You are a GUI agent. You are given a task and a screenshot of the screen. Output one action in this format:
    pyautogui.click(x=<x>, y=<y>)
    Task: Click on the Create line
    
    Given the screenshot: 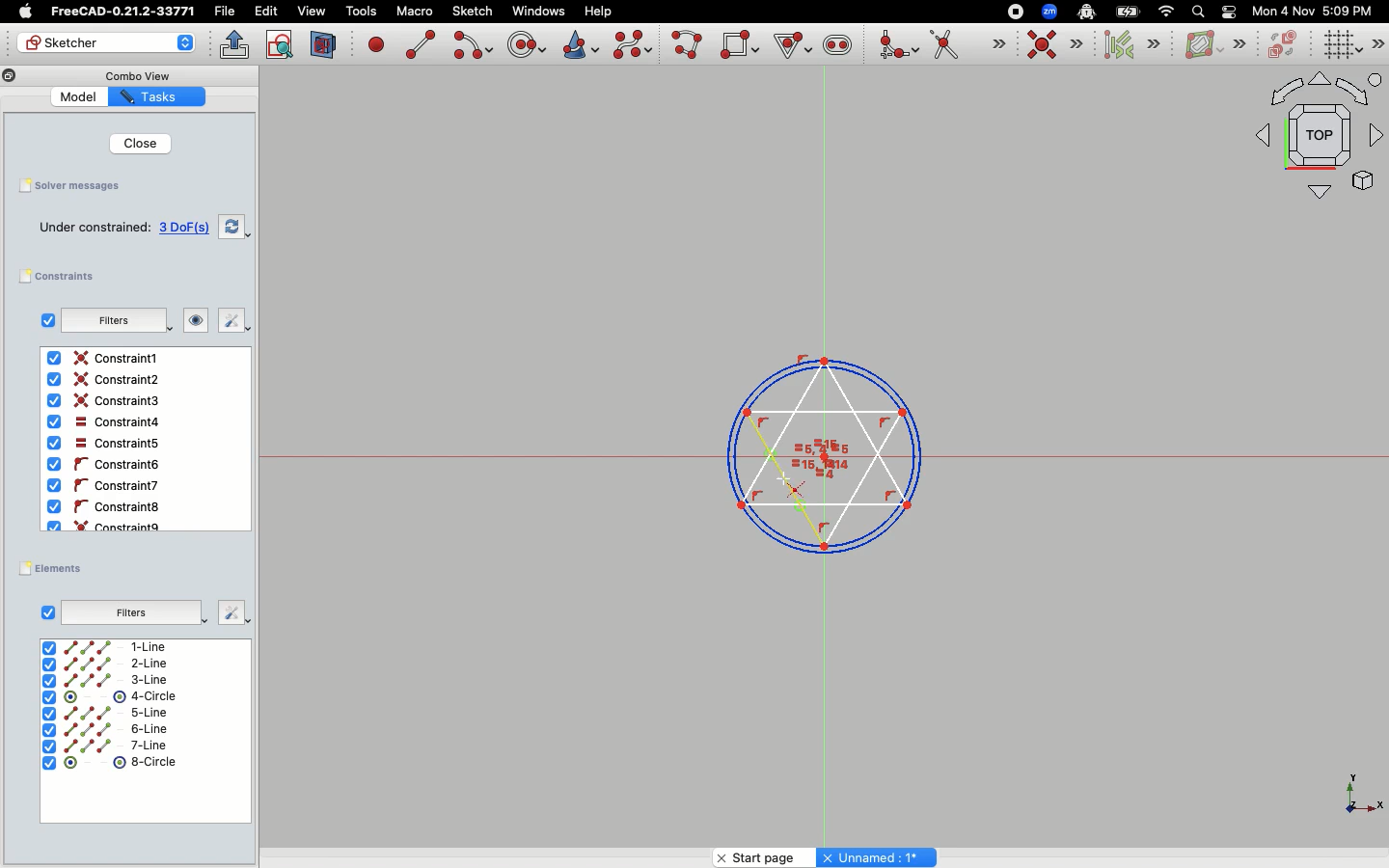 What is the action you would take?
    pyautogui.click(x=421, y=44)
    